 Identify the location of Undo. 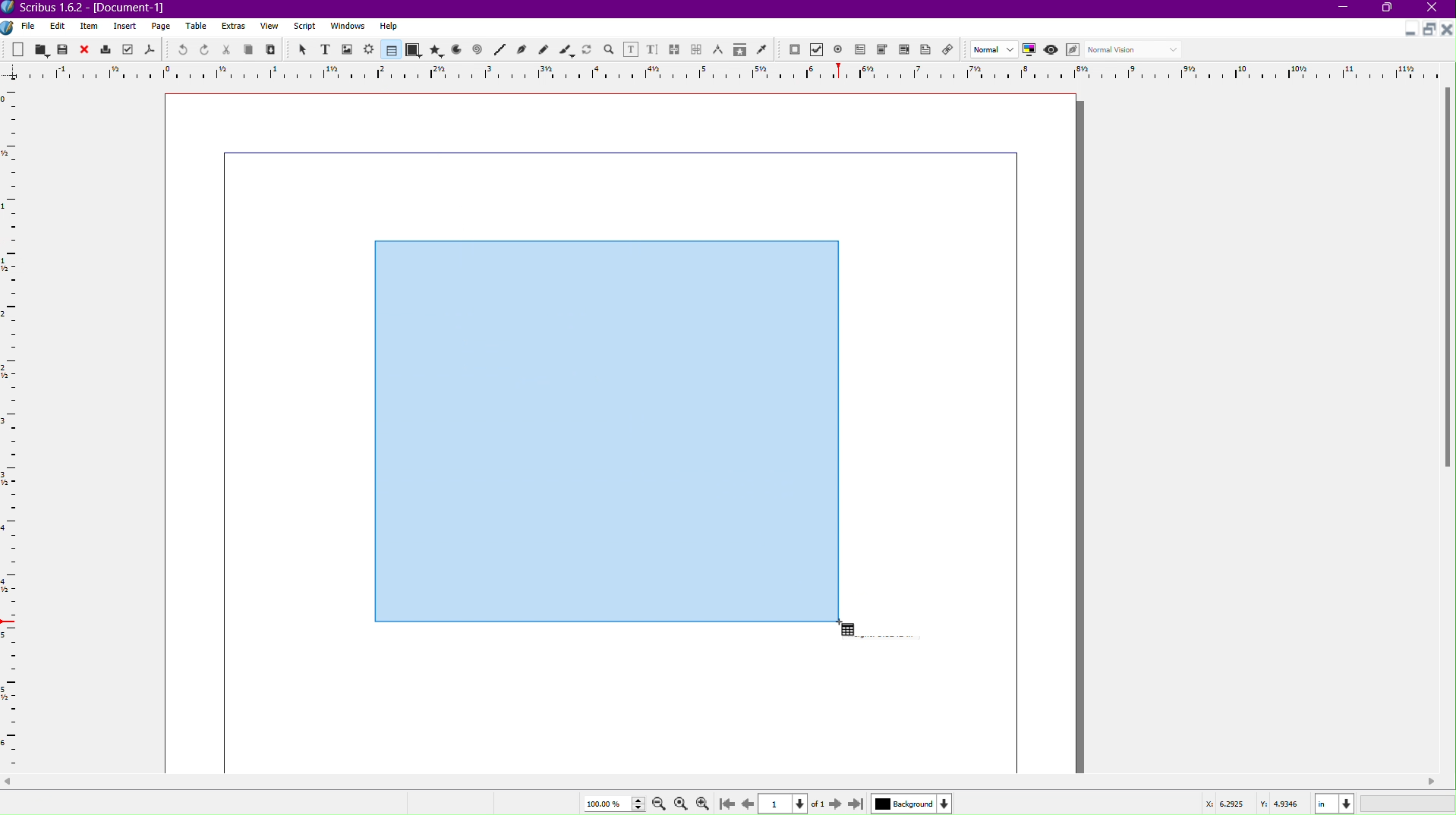
(178, 49).